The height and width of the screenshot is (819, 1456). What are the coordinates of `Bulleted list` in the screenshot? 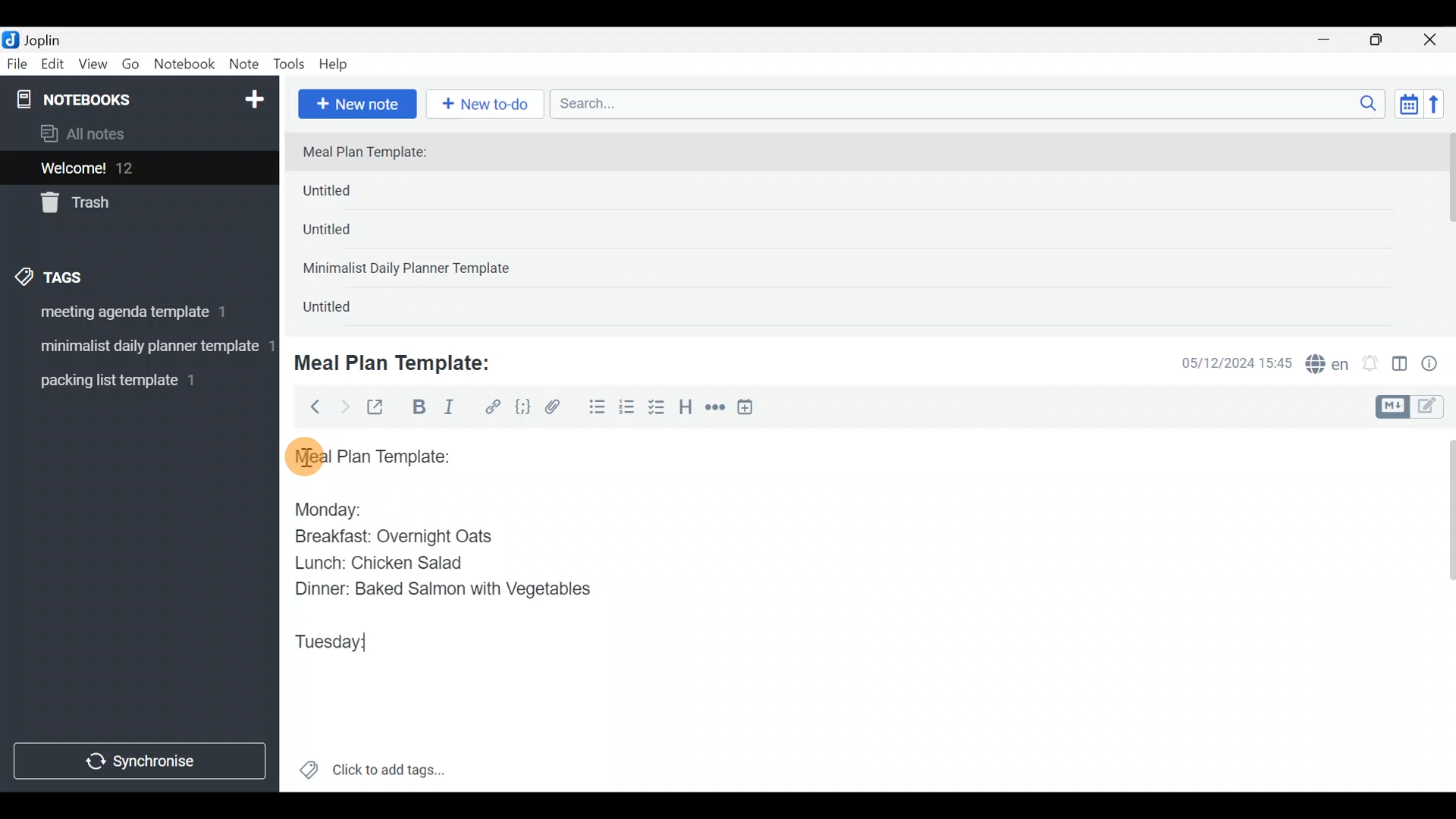 It's located at (594, 408).